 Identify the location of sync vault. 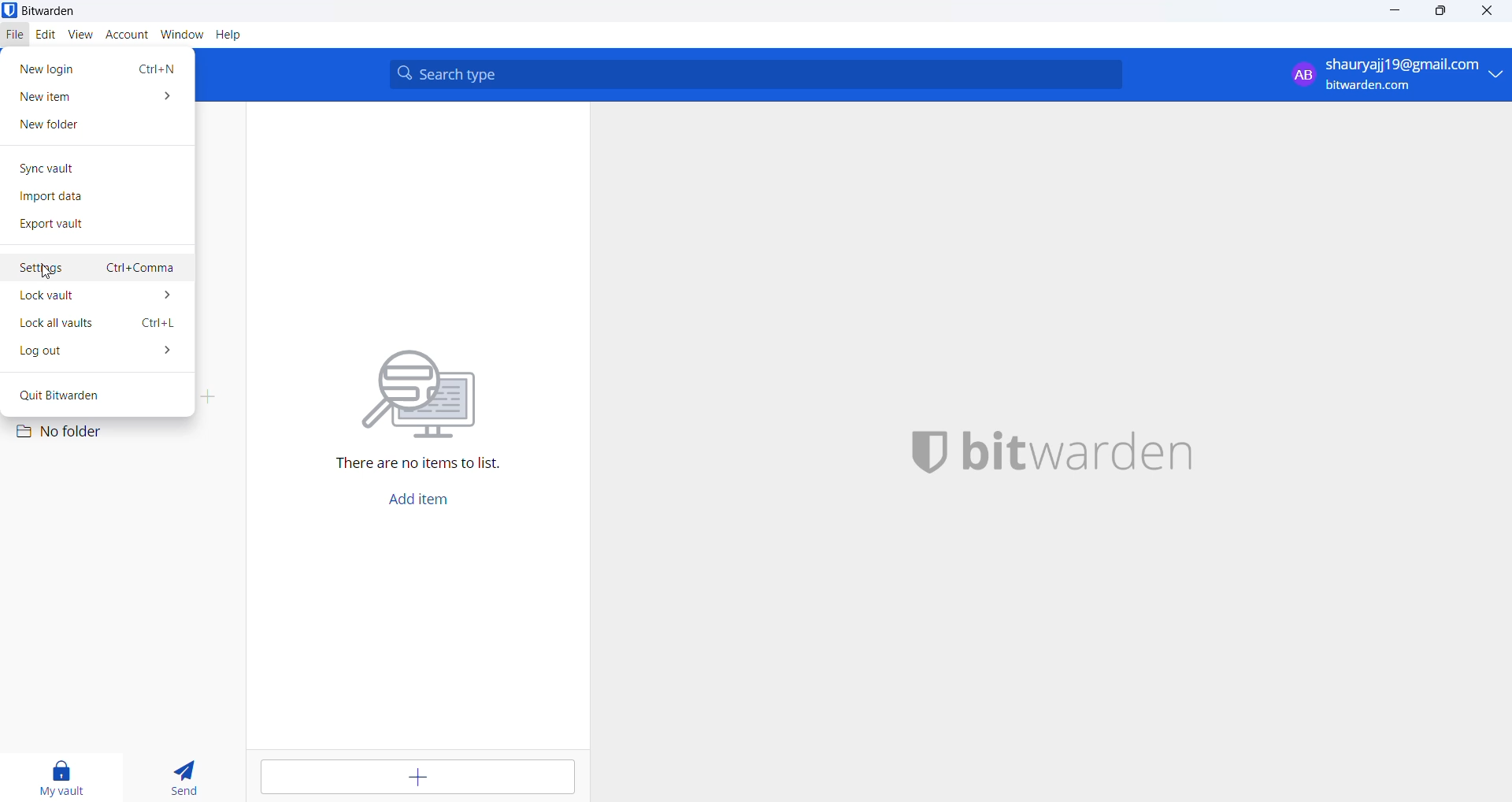
(92, 167).